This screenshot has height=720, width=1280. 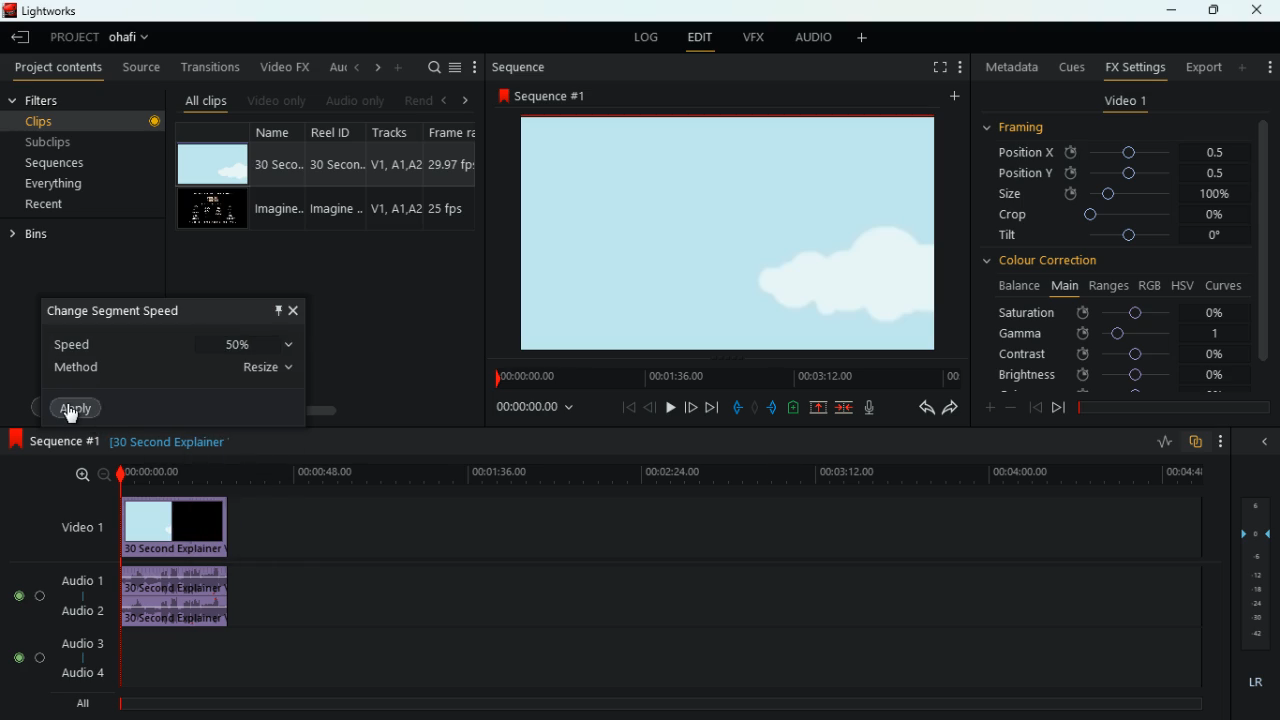 What do you see at coordinates (42, 101) in the screenshot?
I see `filters` at bounding box center [42, 101].